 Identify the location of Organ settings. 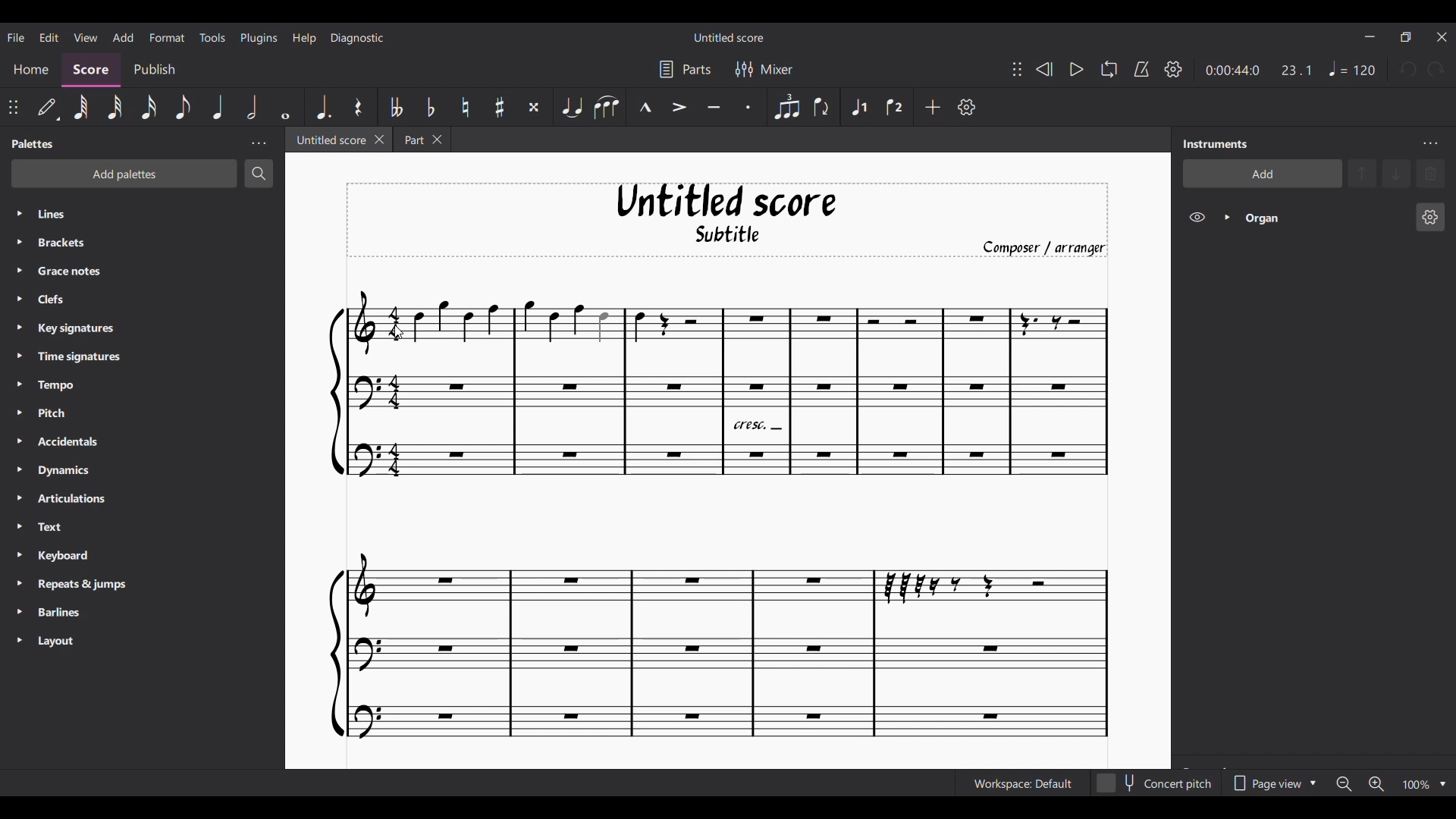
(1430, 217).